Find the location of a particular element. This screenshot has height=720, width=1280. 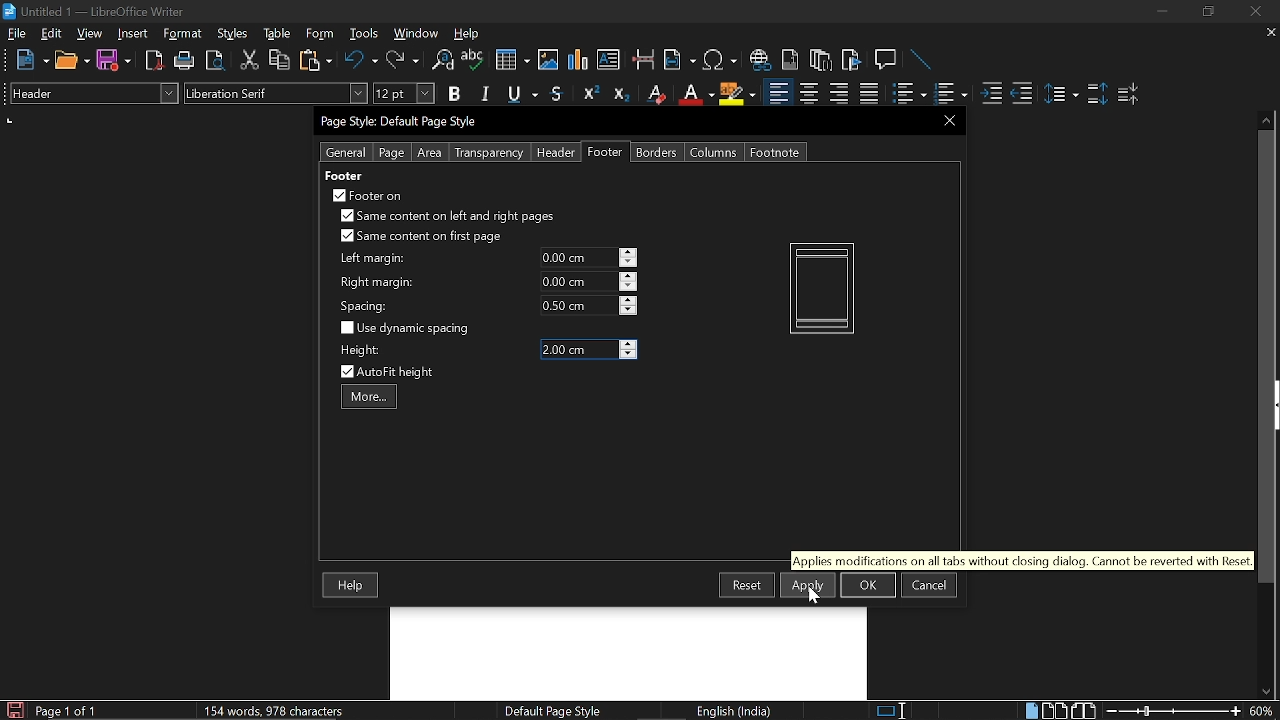

Cut is located at coordinates (250, 60).